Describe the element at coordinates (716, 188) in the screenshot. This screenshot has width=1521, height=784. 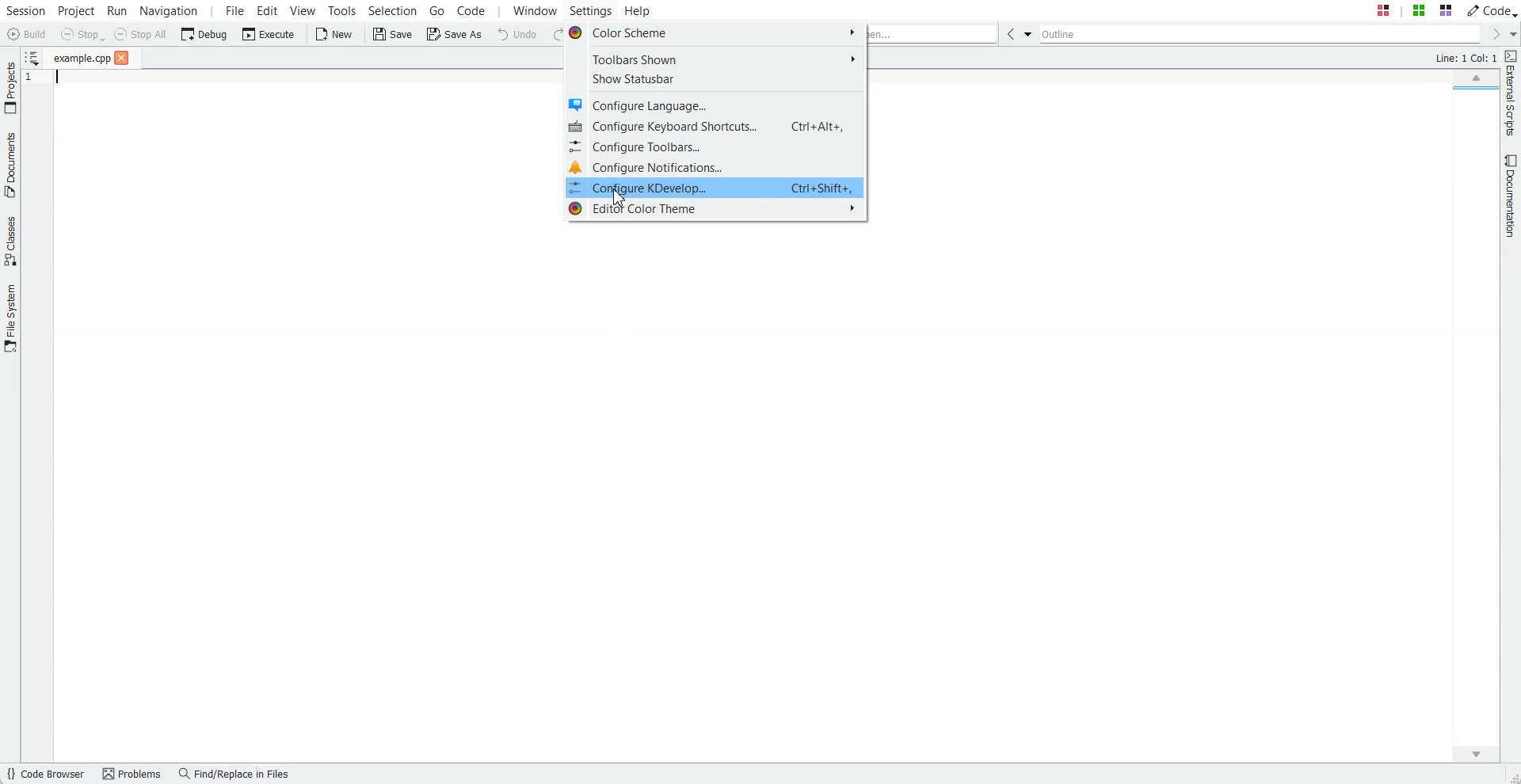
I see `Configure Kdevelop` at that location.